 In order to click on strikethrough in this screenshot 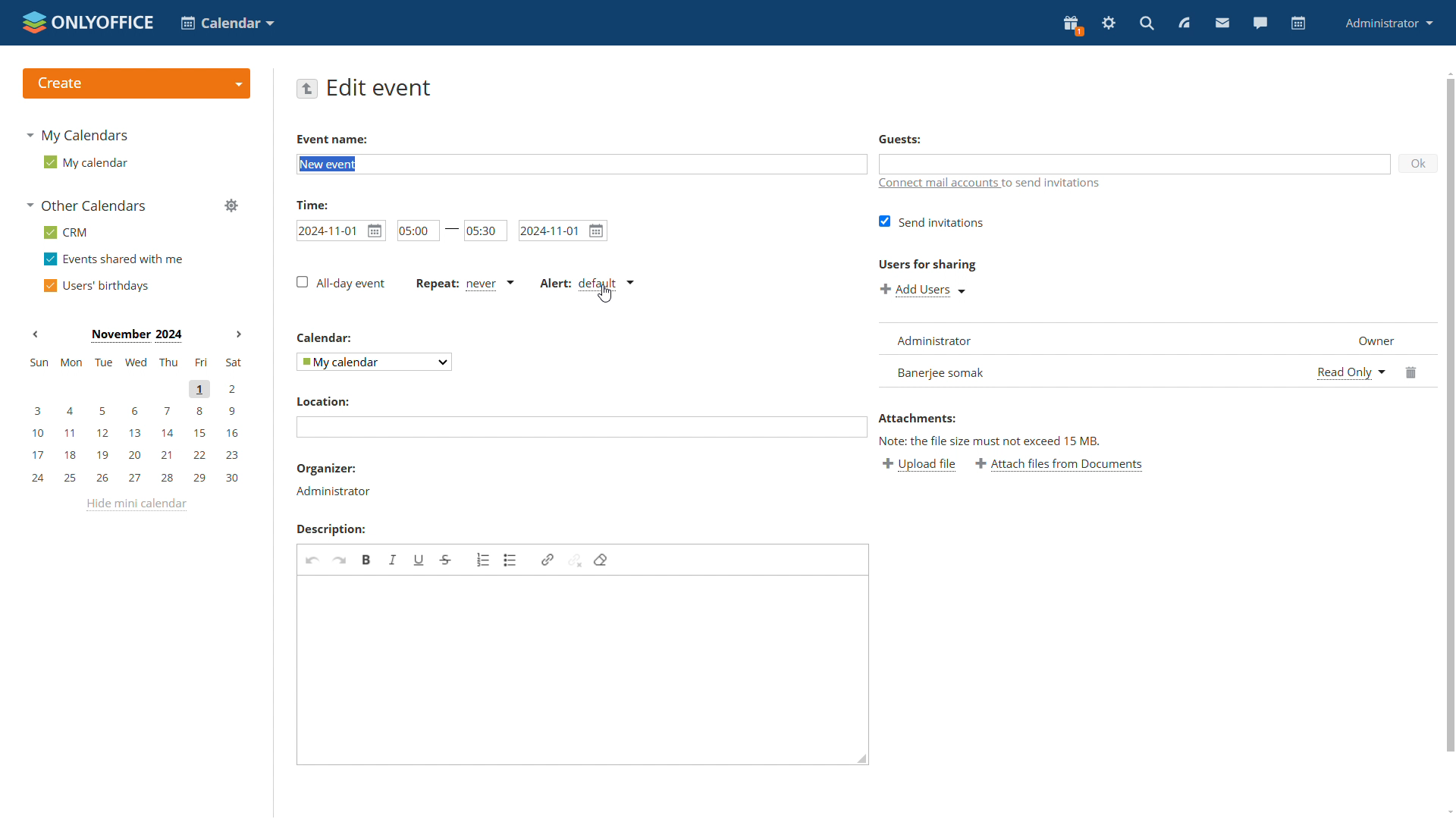, I will do `click(445, 560)`.